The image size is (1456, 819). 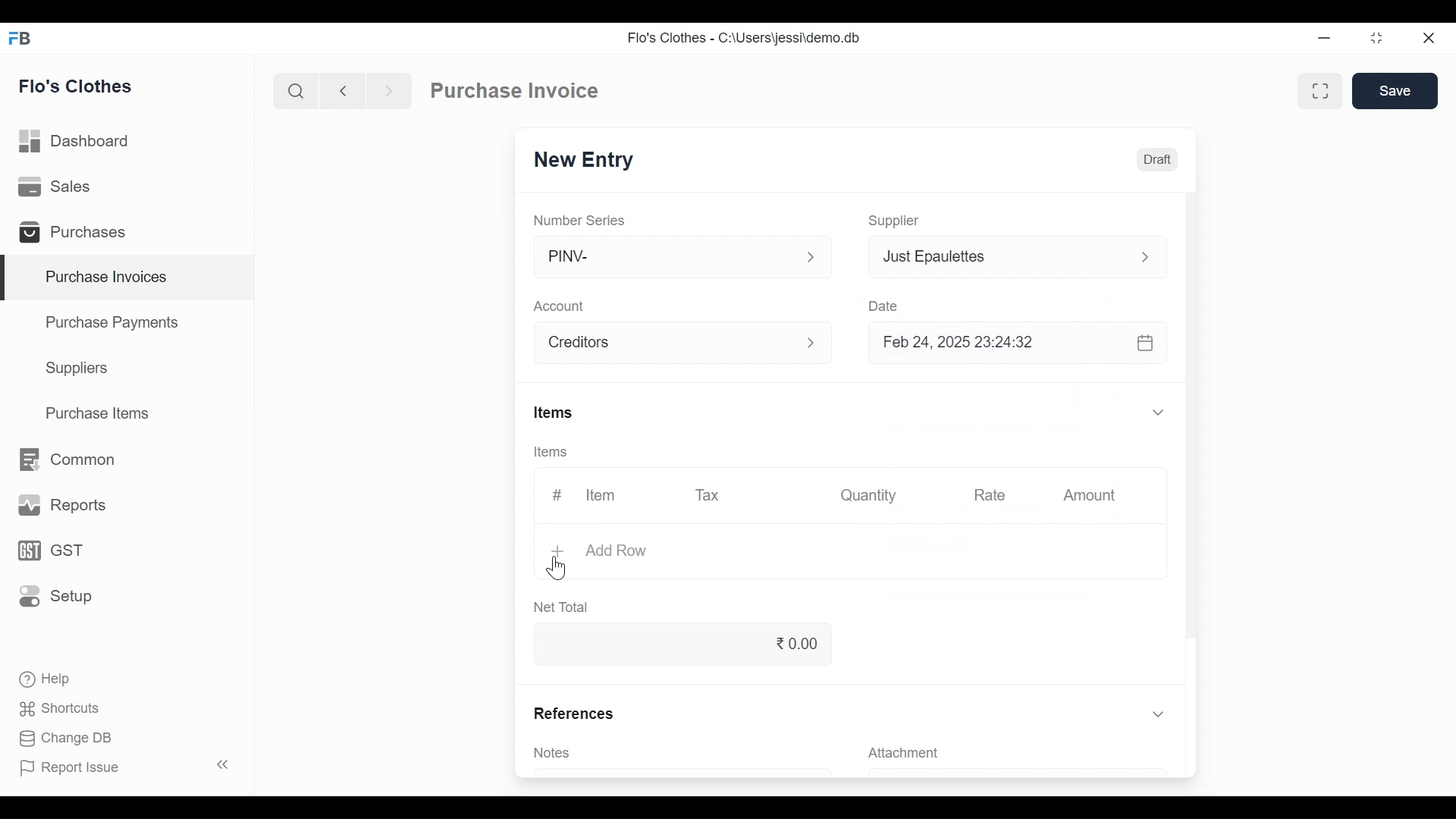 What do you see at coordinates (560, 306) in the screenshot?
I see `Account` at bounding box center [560, 306].